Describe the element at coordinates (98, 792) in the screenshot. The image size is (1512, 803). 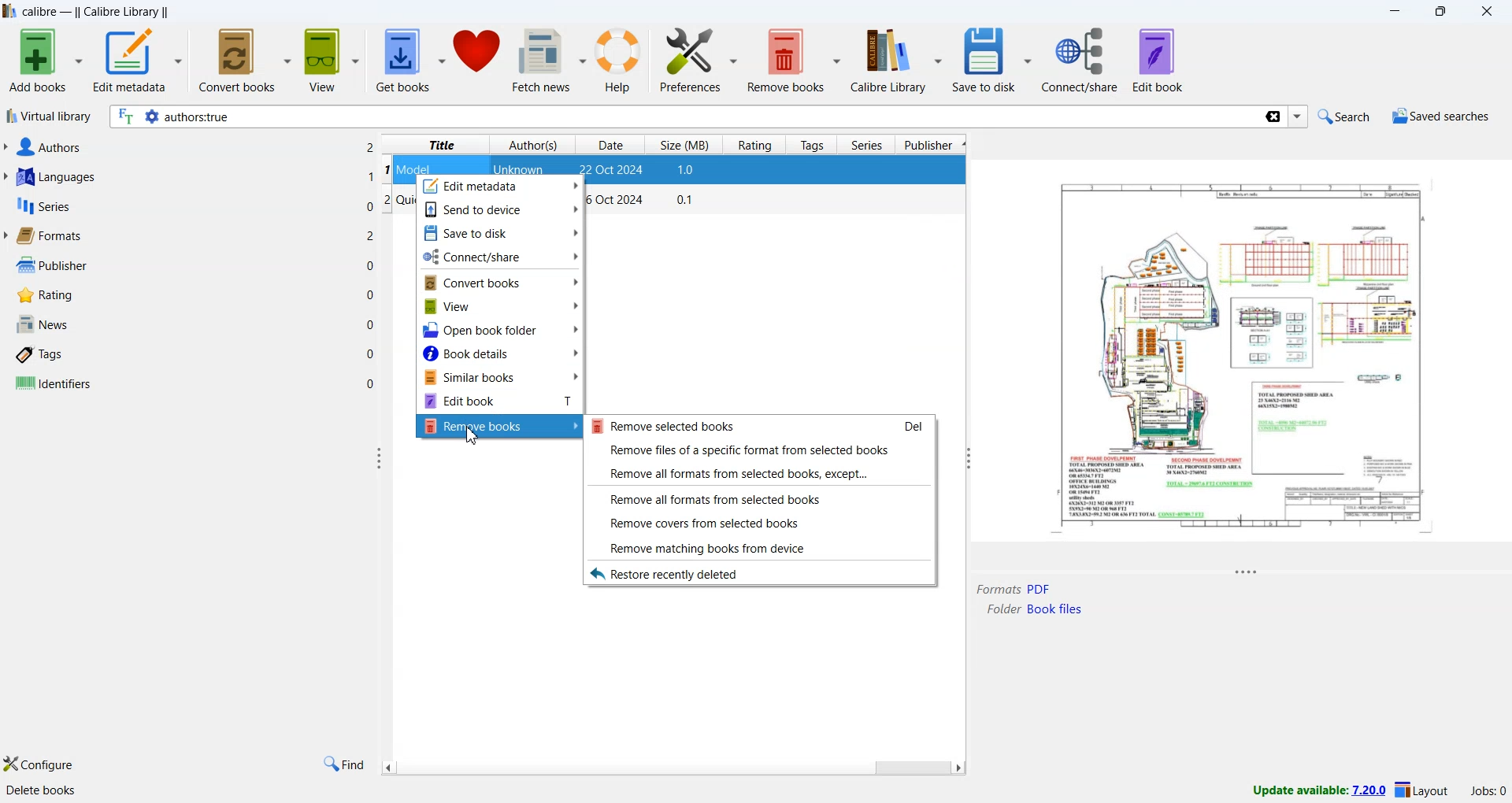
I see `calibre 7.19 created by kovid goyal` at that location.